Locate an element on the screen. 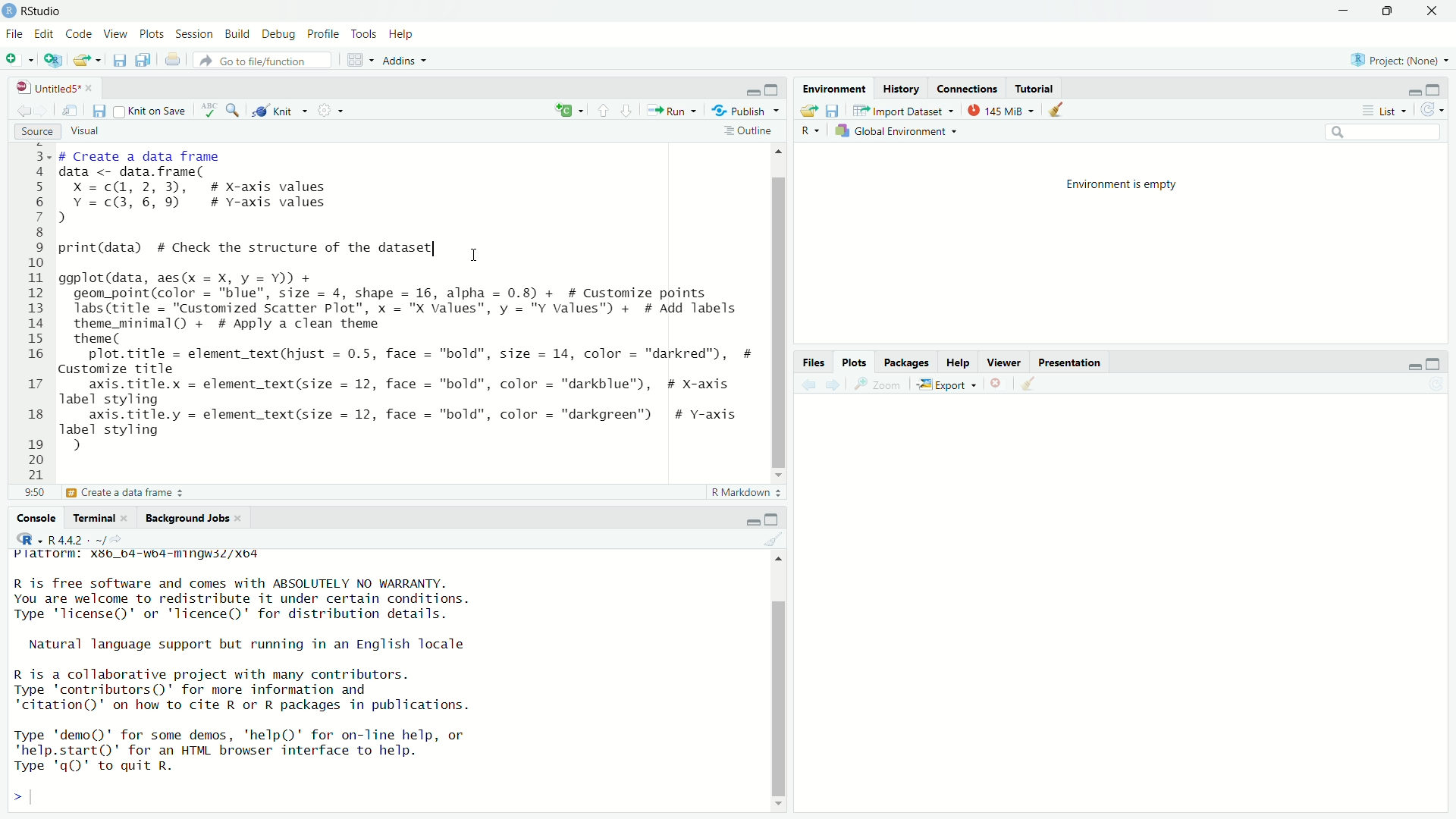  Untitled is located at coordinates (52, 89).